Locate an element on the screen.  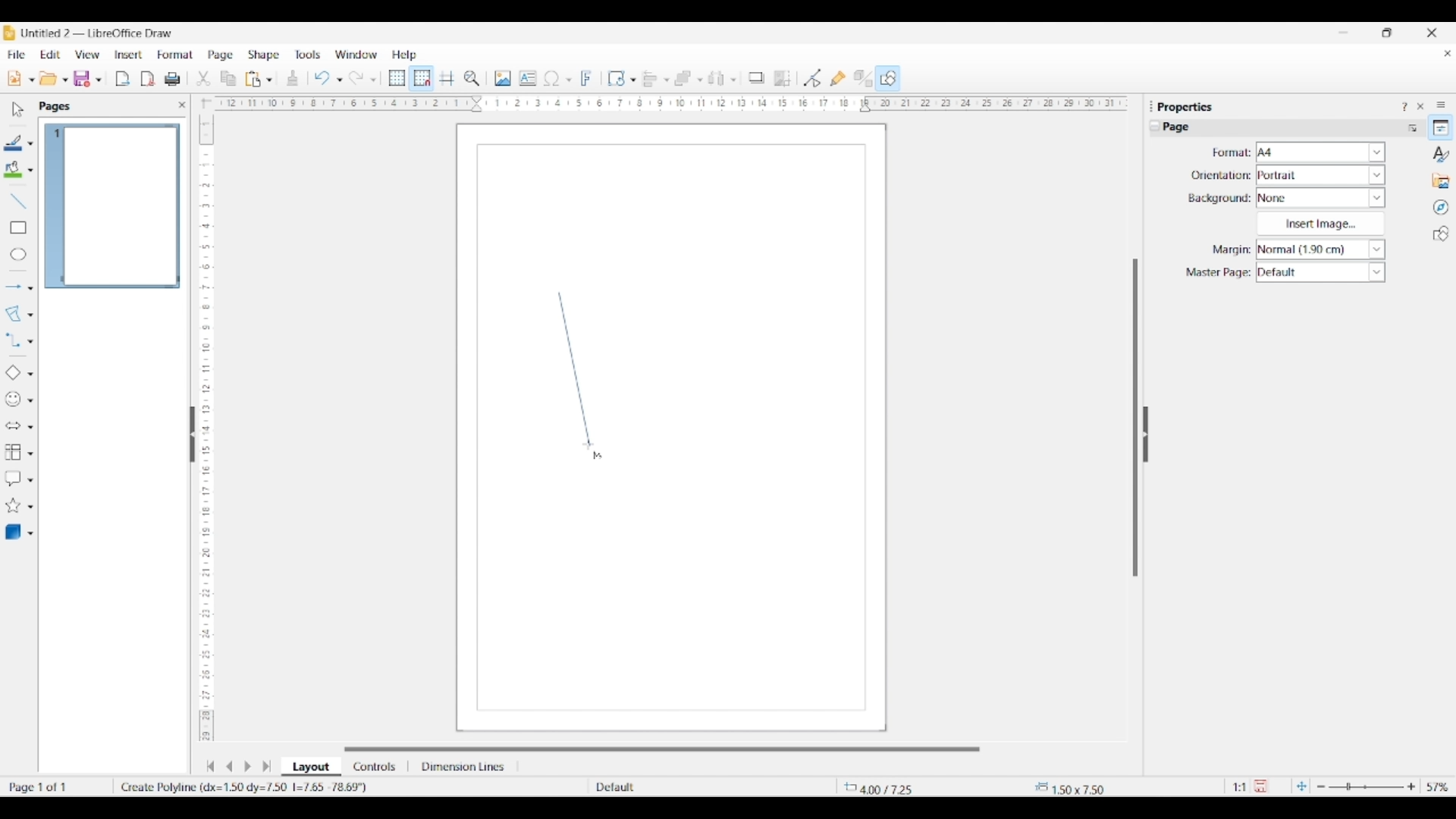
Slider to change zoom in/out is located at coordinates (1366, 786).